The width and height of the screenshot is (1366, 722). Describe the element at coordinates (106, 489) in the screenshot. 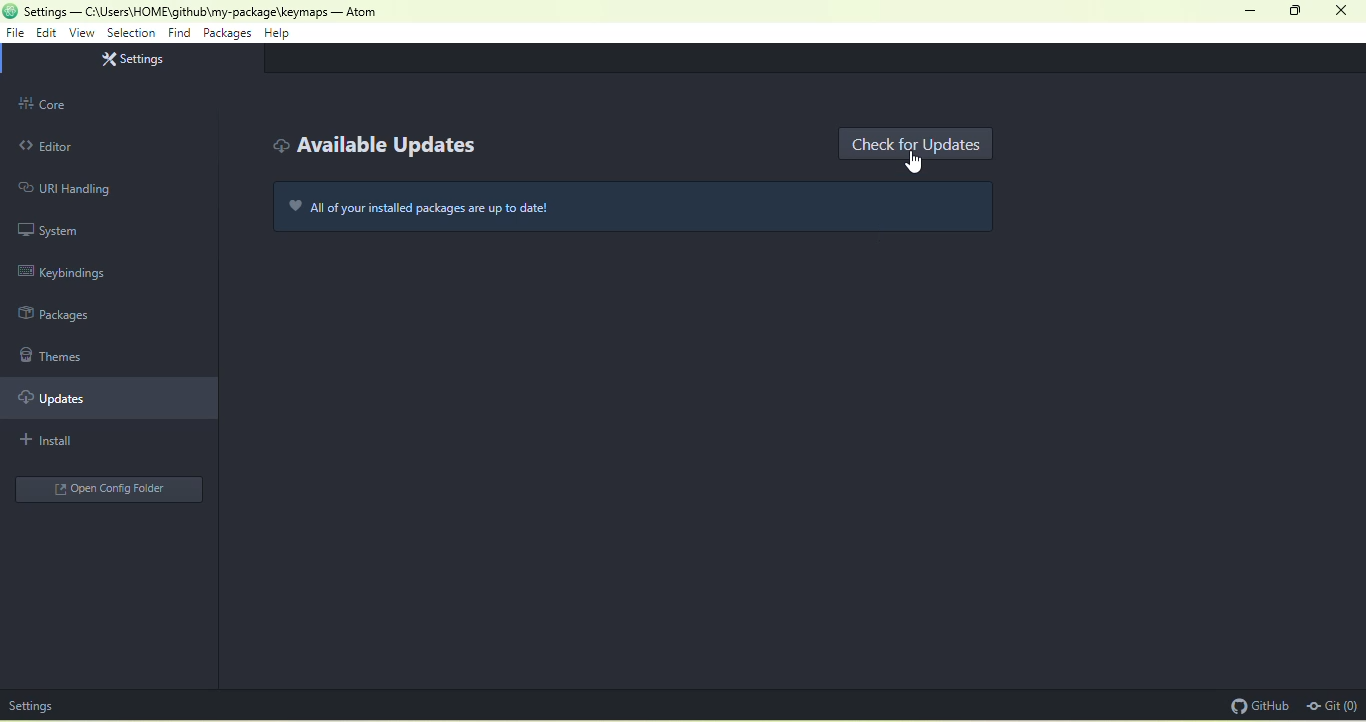

I see `open config folder` at that location.